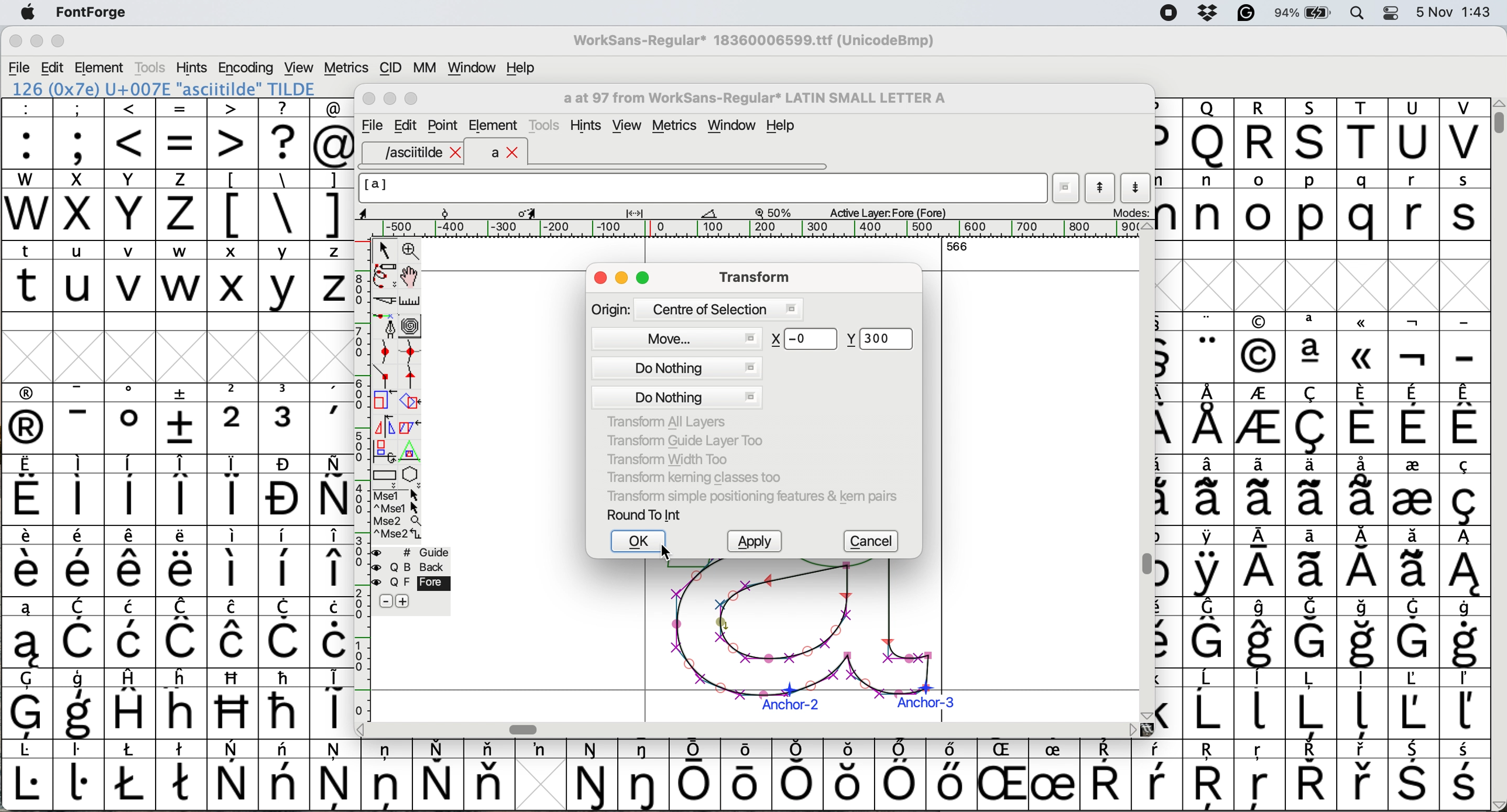  What do you see at coordinates (1006, 775) in the screenshot?
I see `` at bounding box center [1006, 775].